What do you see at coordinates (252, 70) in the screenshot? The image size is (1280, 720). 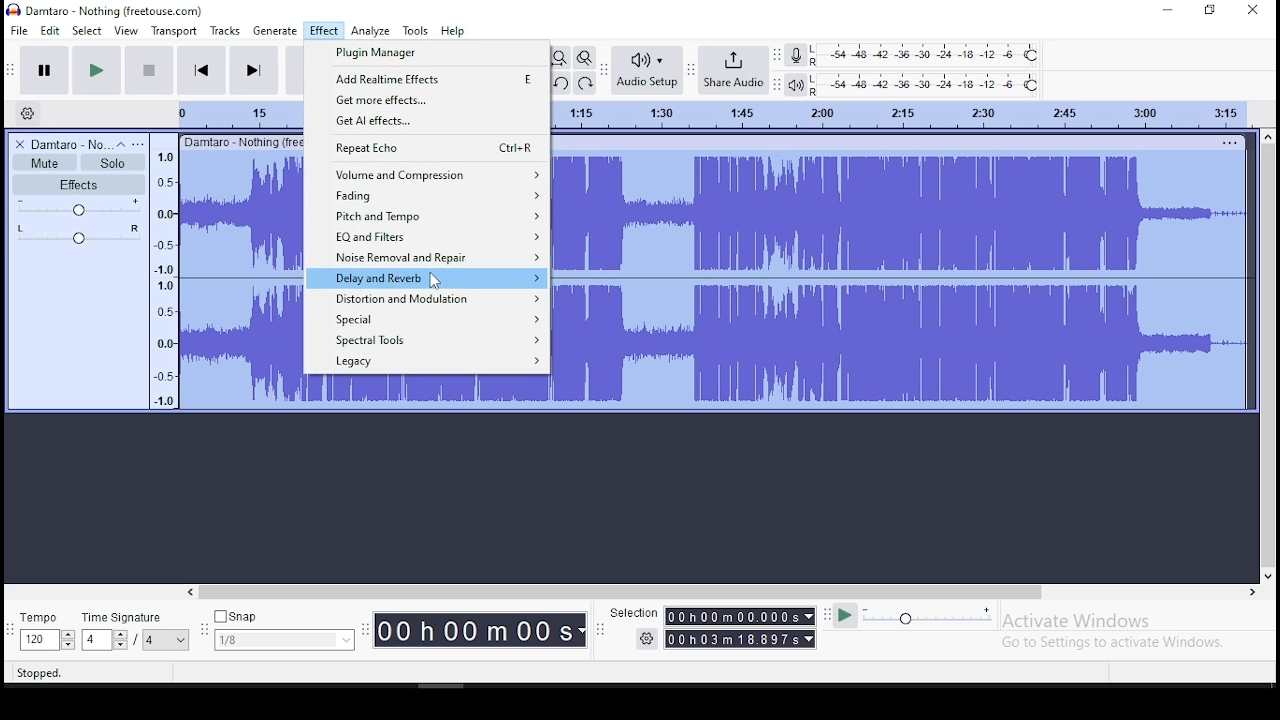 I see `skip to end` at bounding box center [252, 70].